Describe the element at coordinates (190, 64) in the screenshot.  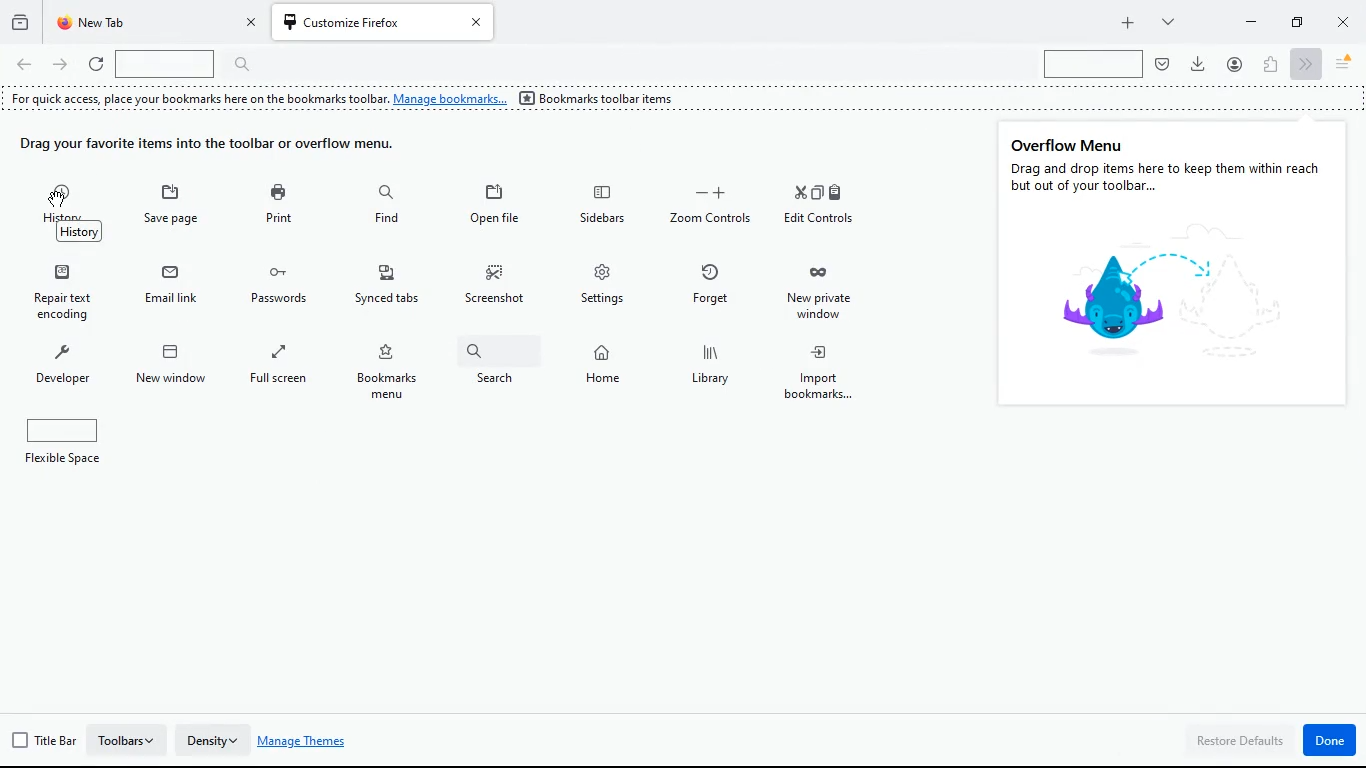
I see `search` at that location.